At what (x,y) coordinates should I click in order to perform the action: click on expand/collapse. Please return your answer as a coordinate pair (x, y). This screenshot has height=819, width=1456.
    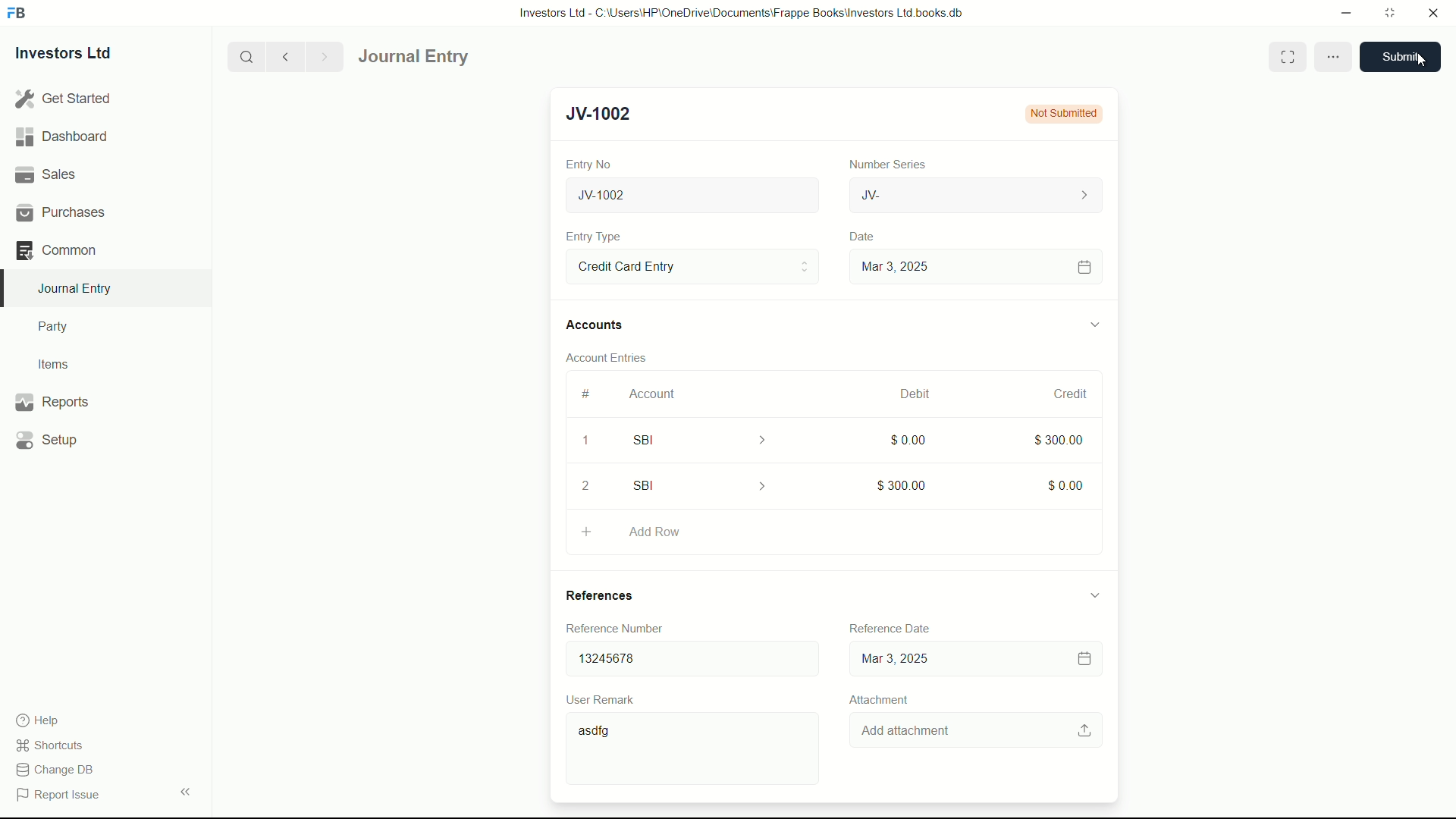
    Looking at the image, I should click on (1094, 594).